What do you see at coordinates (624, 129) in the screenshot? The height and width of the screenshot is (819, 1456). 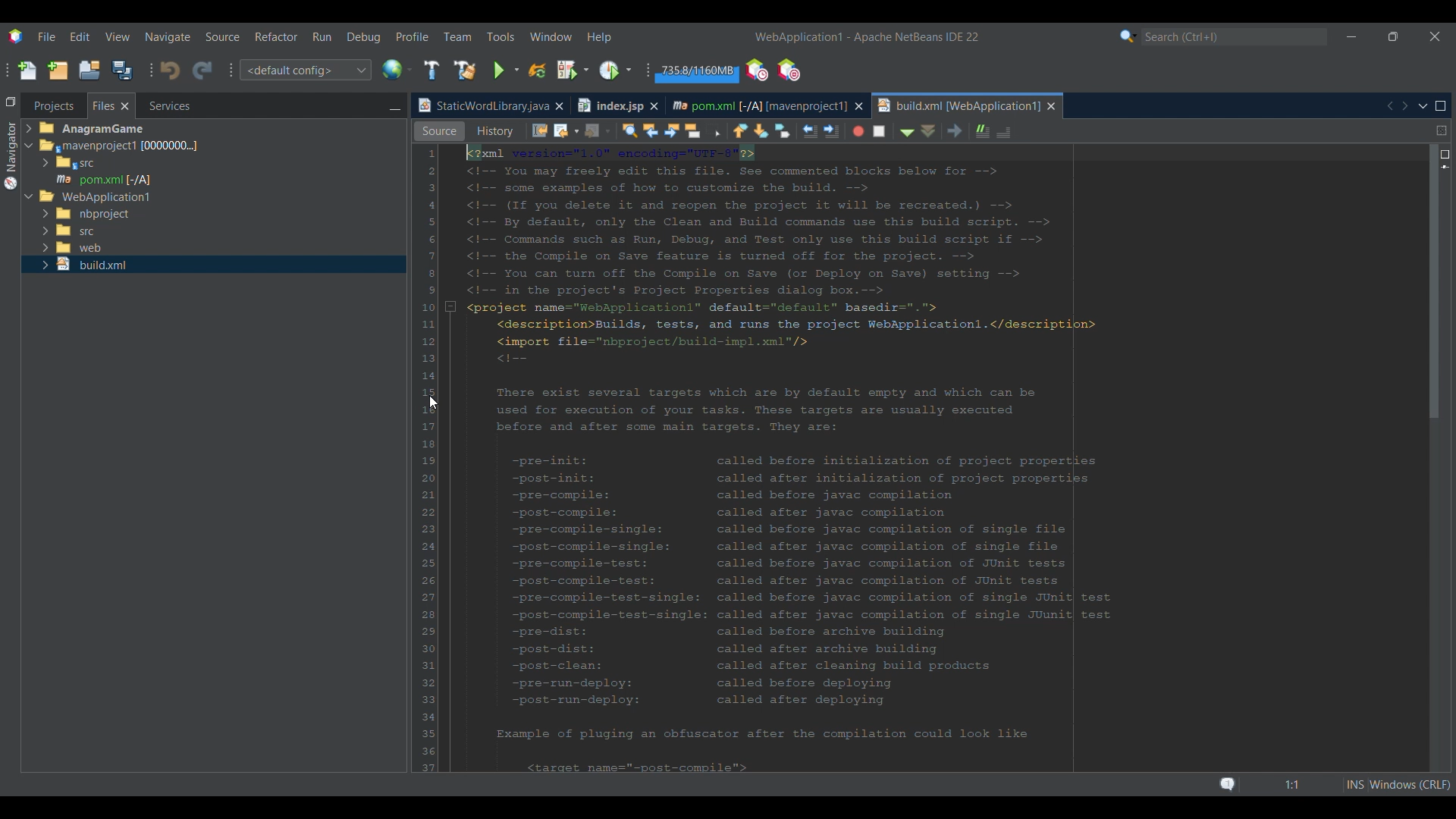 I see `History view` at bounding box center [624, 129].